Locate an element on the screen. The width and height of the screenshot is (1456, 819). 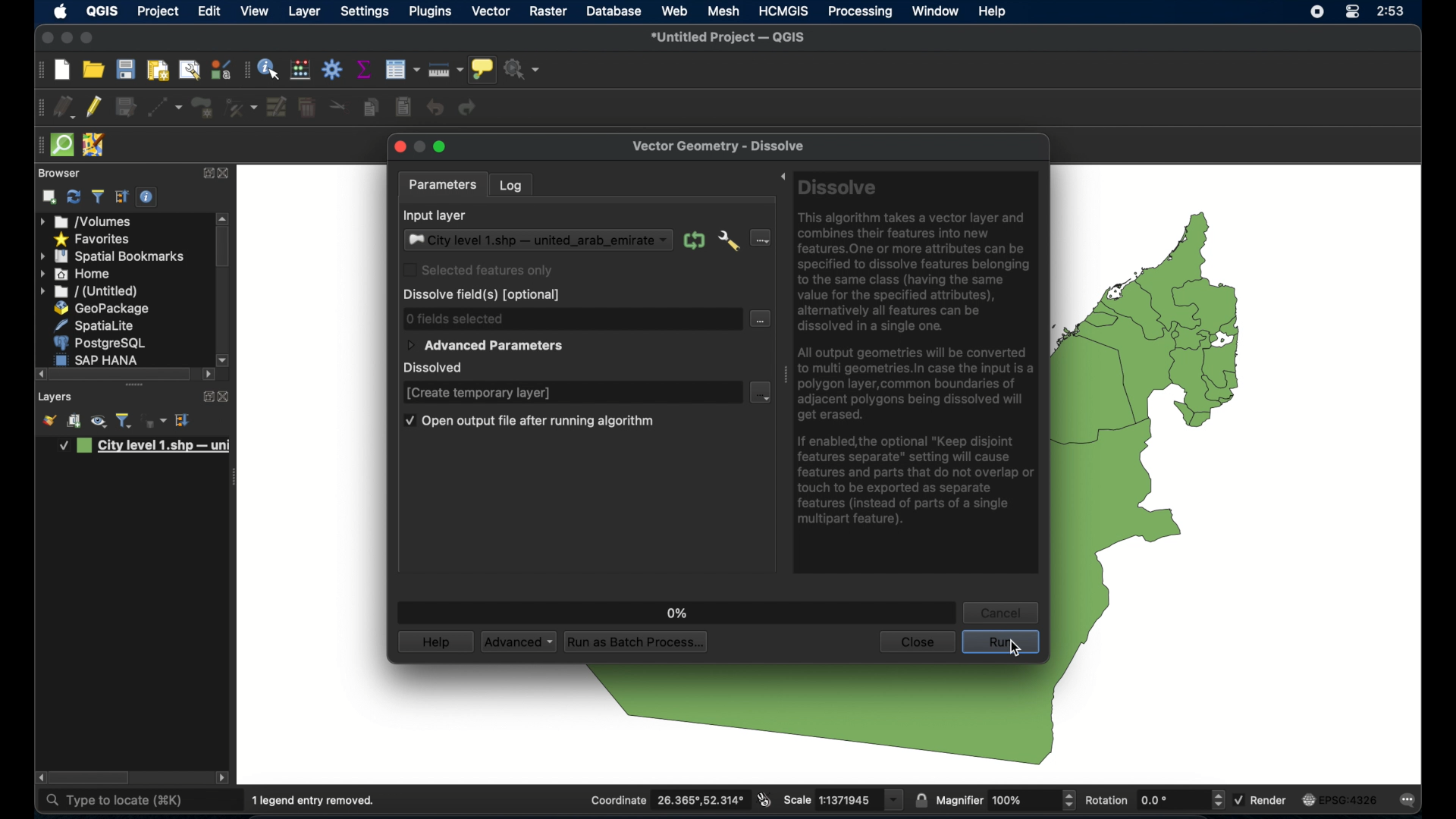
filter legend is located at coordinates (97, 197).